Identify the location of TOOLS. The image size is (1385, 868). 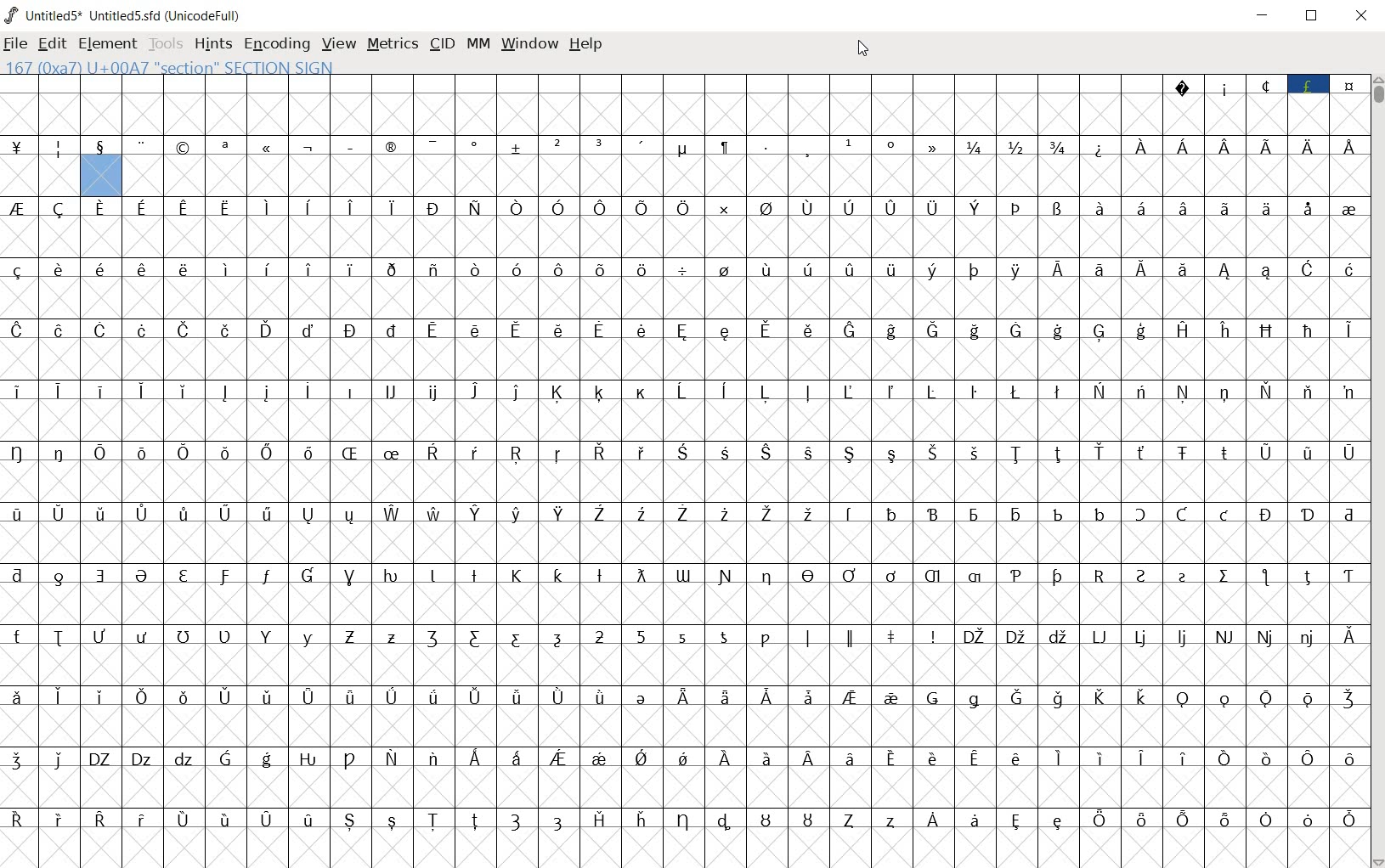
(166, 44).